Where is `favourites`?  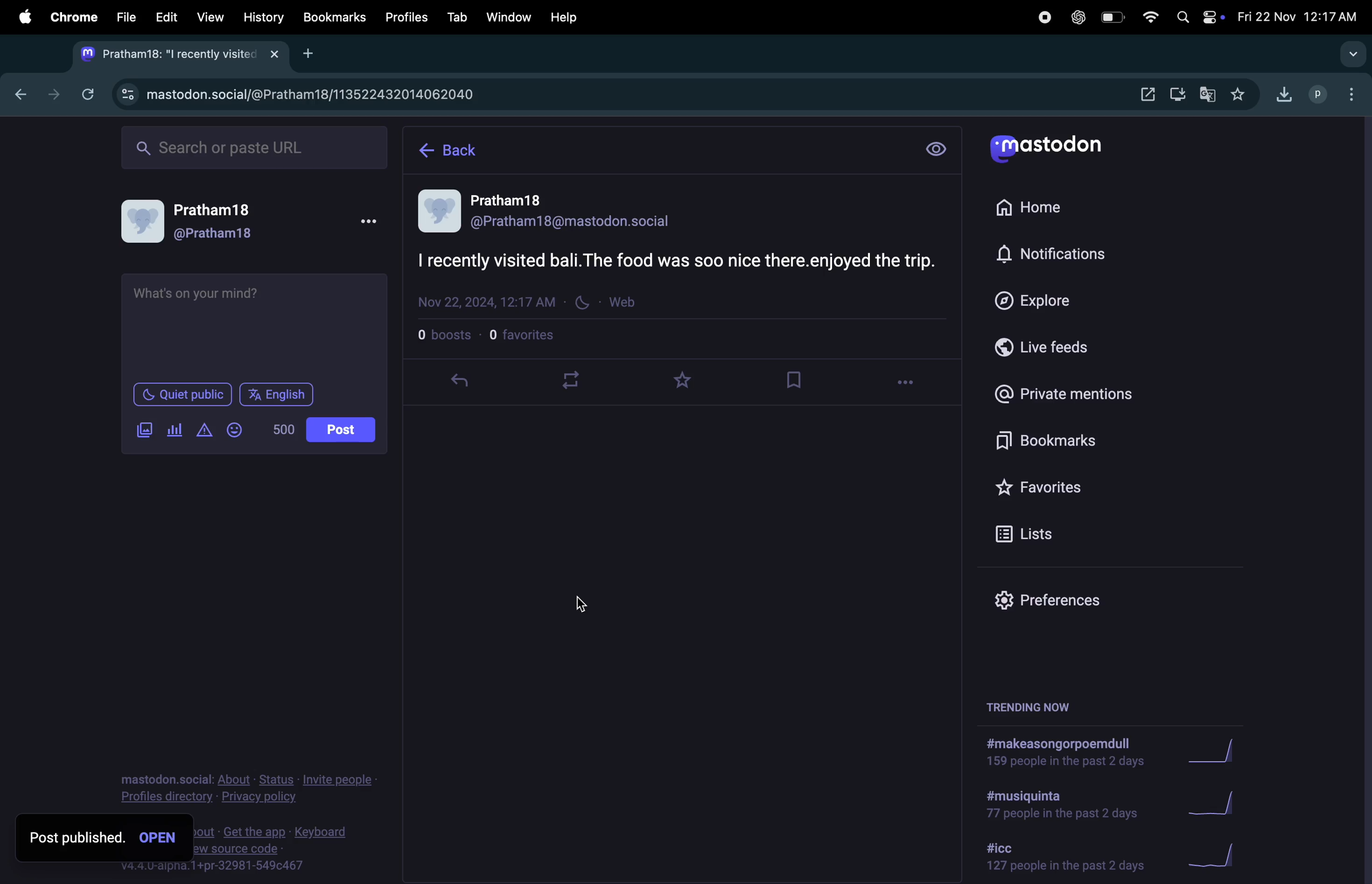 favourites is located at coordinates (1241, 94).